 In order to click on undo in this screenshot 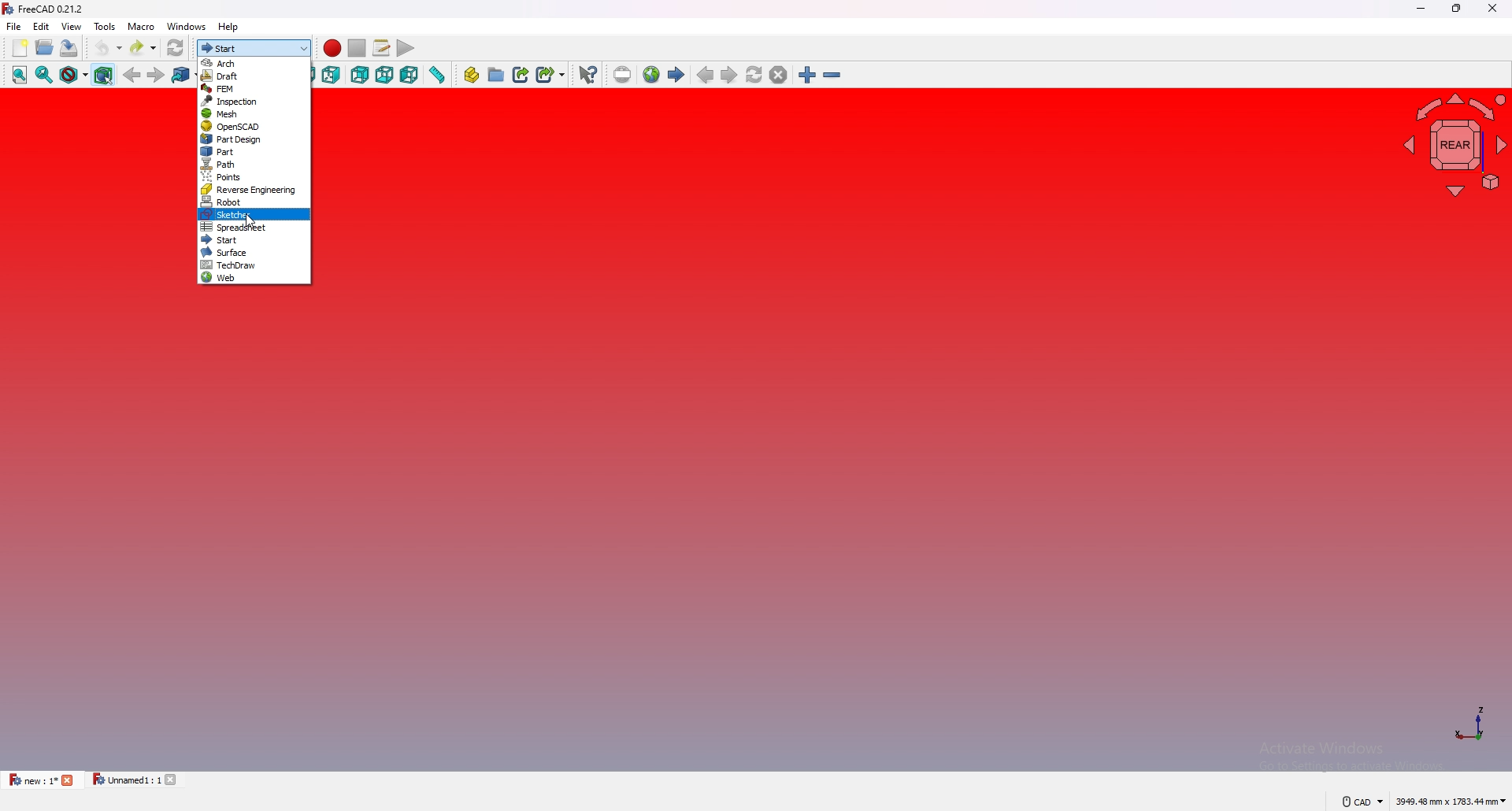, I will do `click(108, 48)`.